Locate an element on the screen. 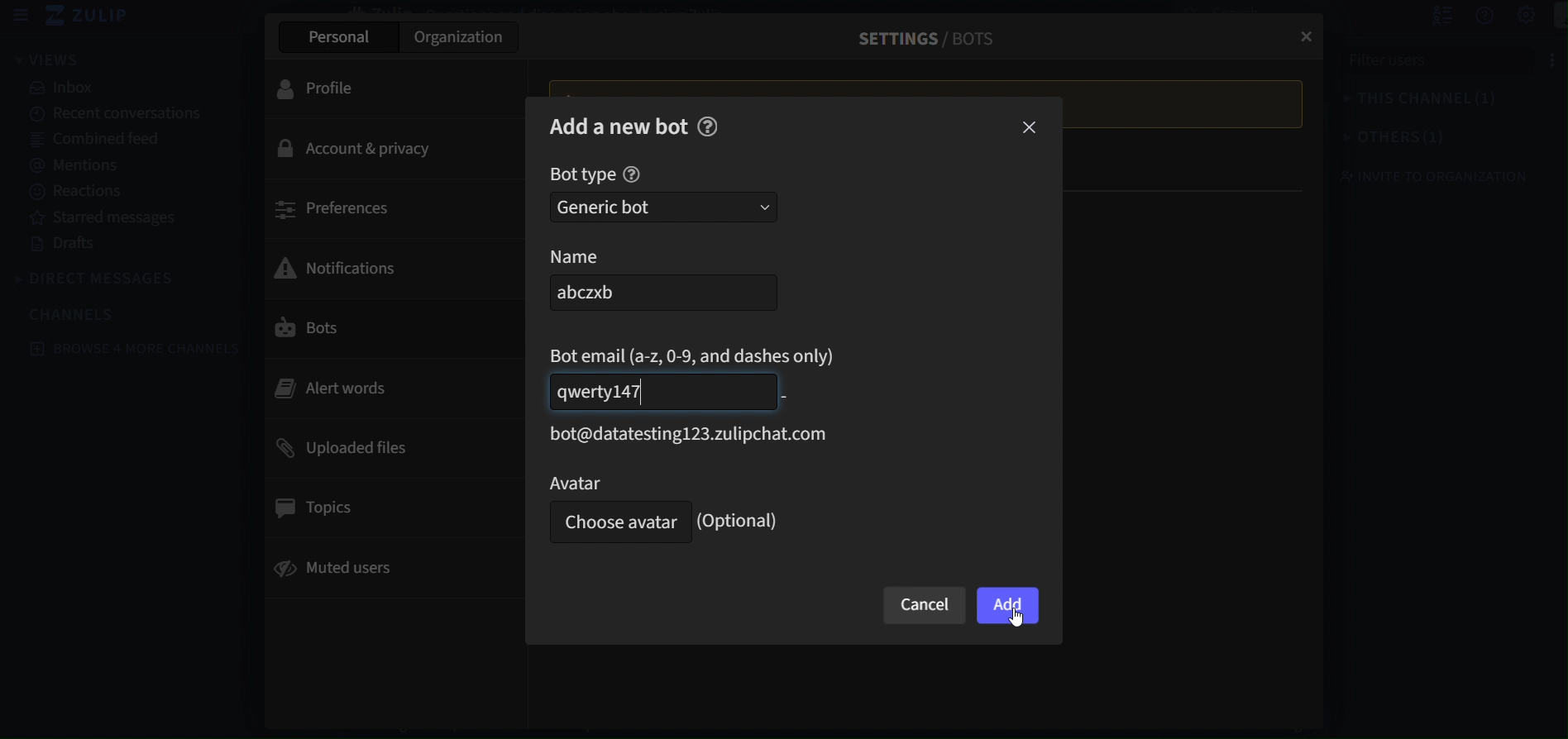  close is located at coordinates (1302, 31).